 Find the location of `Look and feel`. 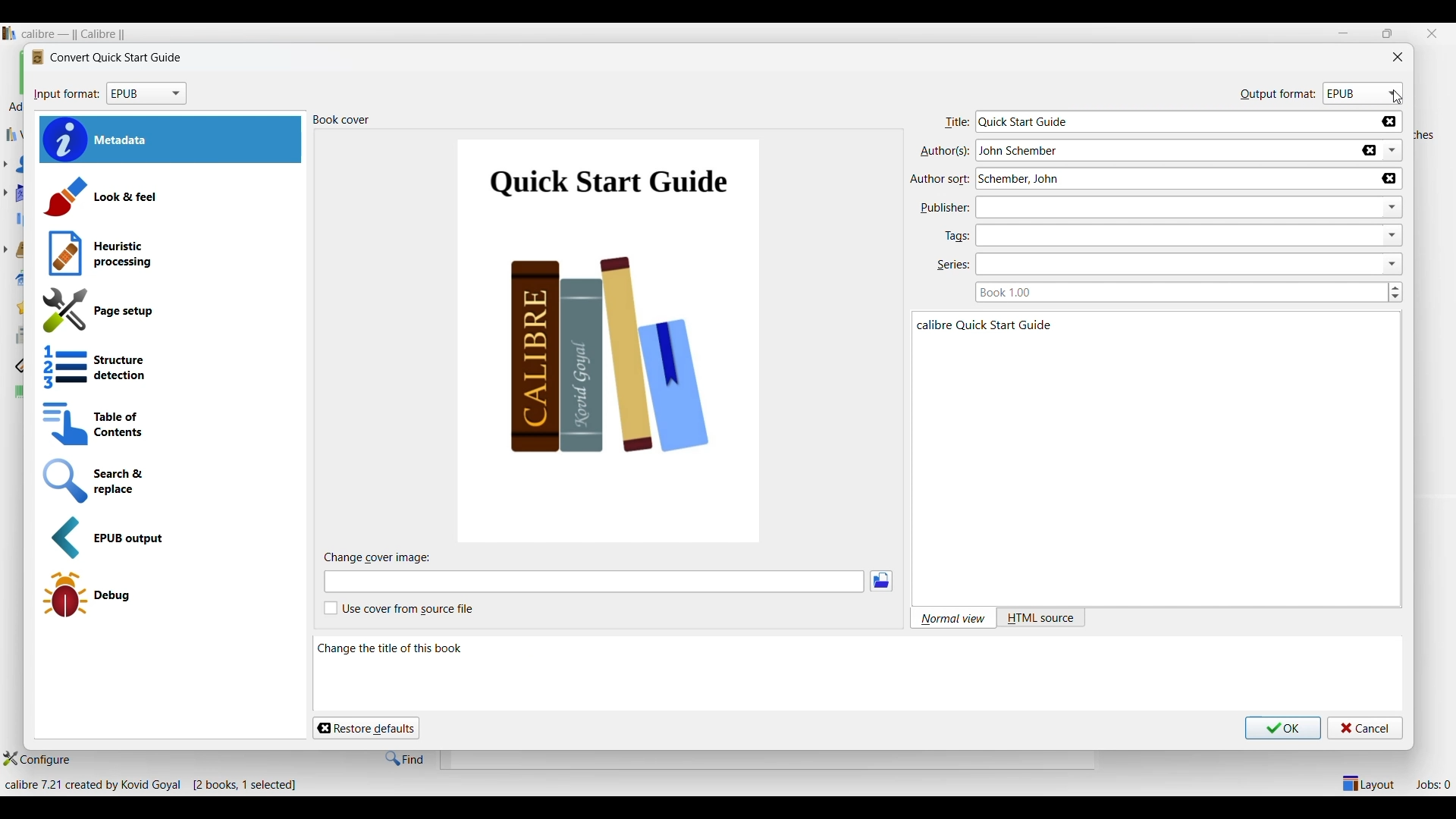

Look and feel is located at coordinates (171, 196).